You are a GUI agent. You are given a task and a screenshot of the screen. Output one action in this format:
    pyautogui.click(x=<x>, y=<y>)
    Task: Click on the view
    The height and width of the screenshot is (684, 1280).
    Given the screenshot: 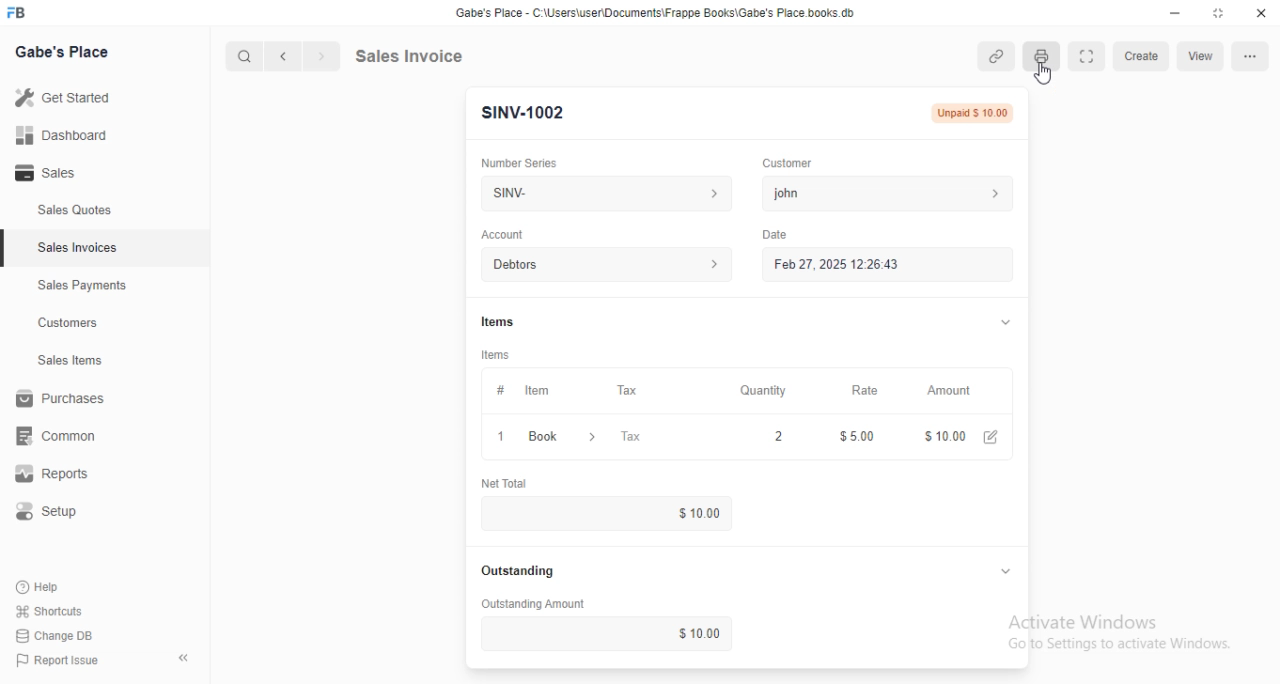 What is the action you would take?
    pyautogui.click(x=1200, y=56)
    